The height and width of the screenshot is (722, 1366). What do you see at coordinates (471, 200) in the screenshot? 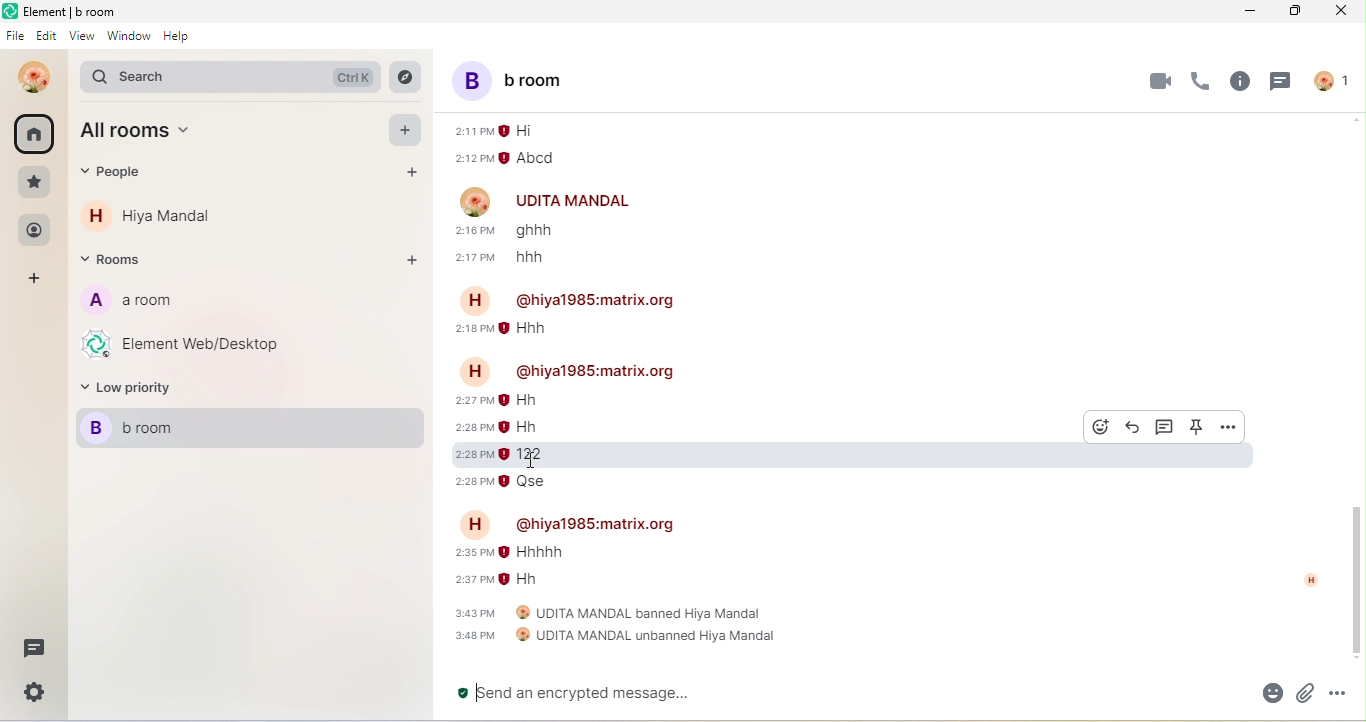
I see `image` at bounding box center [471, 200].